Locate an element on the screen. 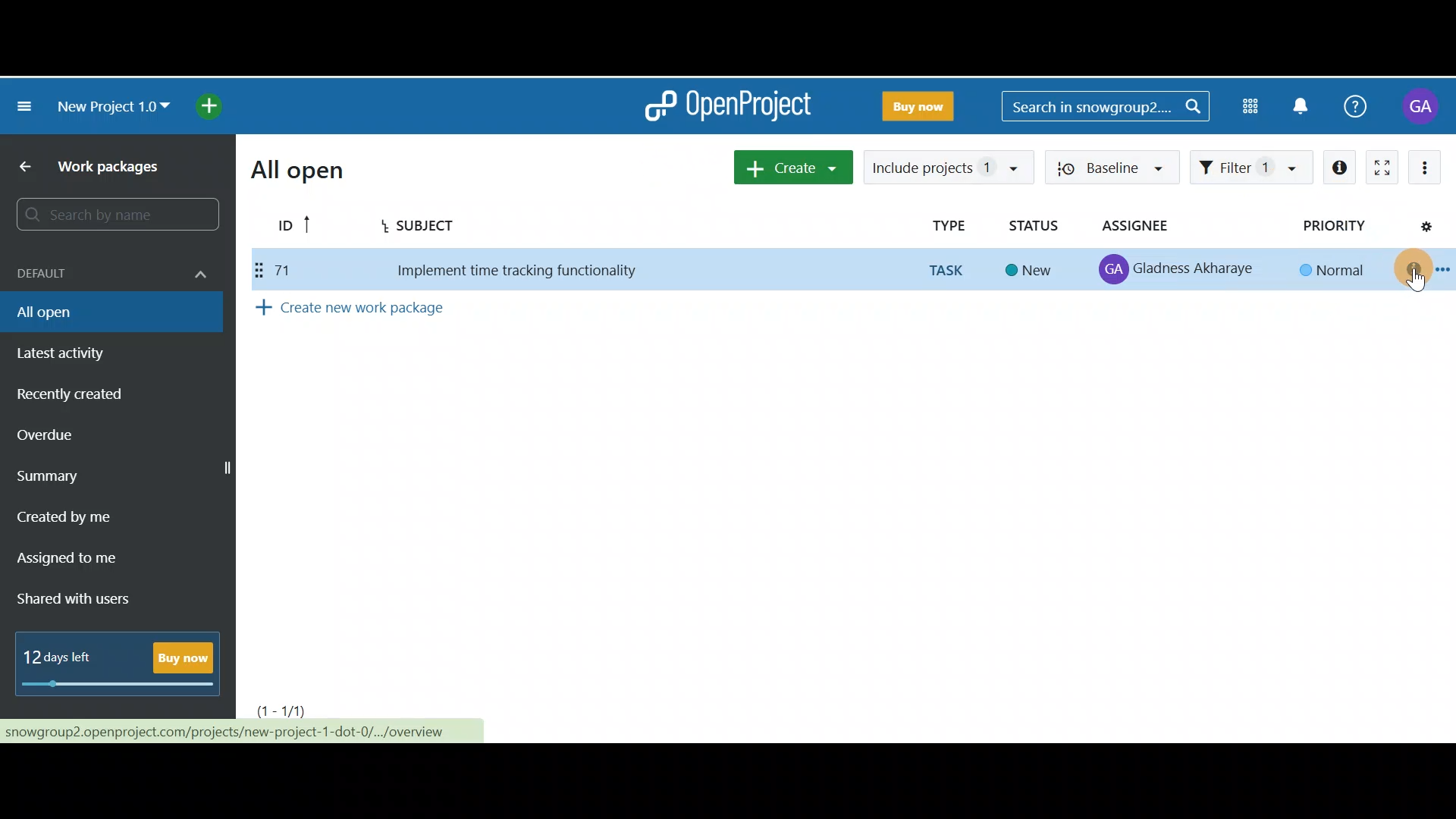 The height and width of the screenshot is (819, 1456). Recently created is located at coordinates (73, 395).